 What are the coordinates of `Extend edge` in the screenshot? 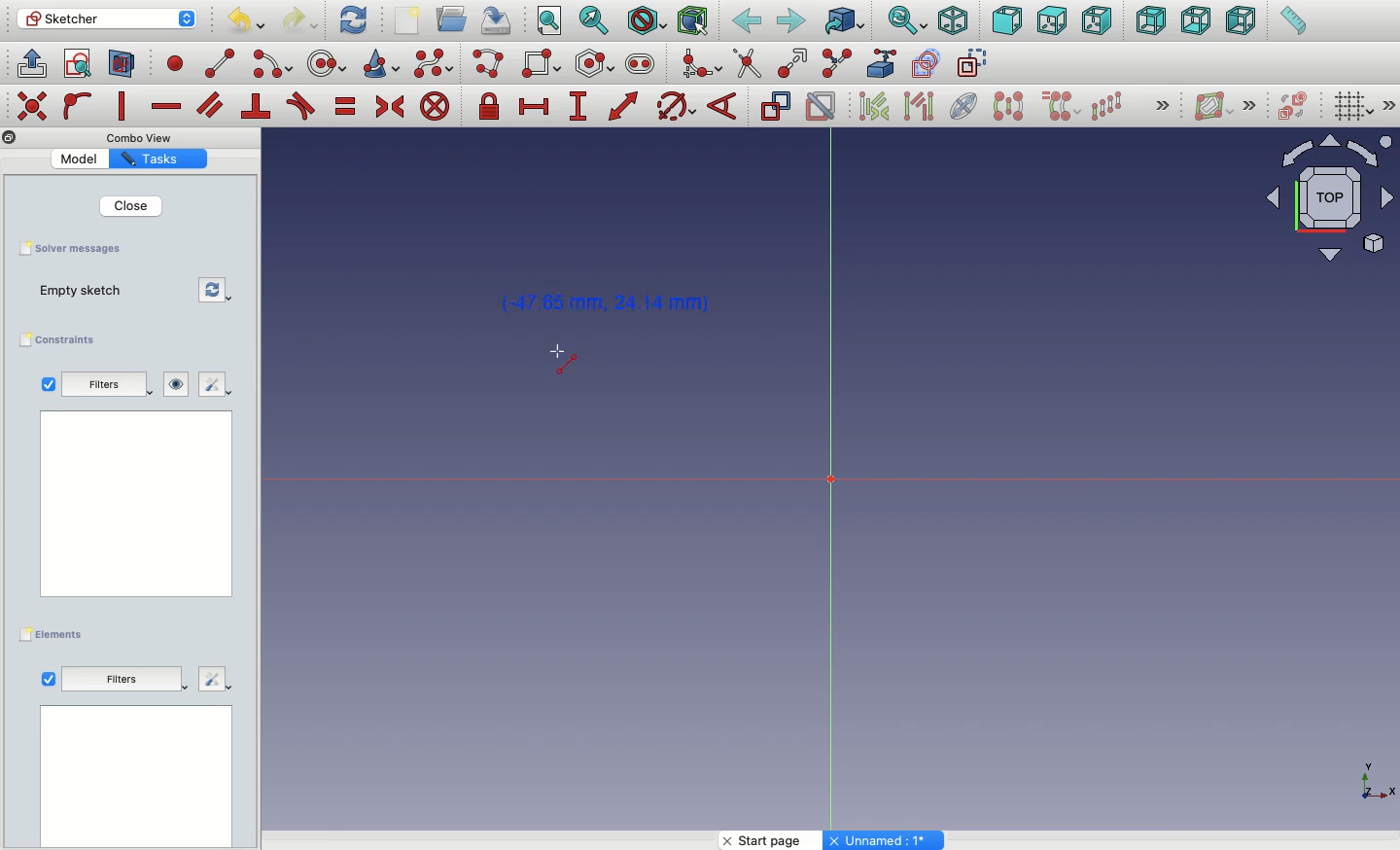 It's located at (796, 61).